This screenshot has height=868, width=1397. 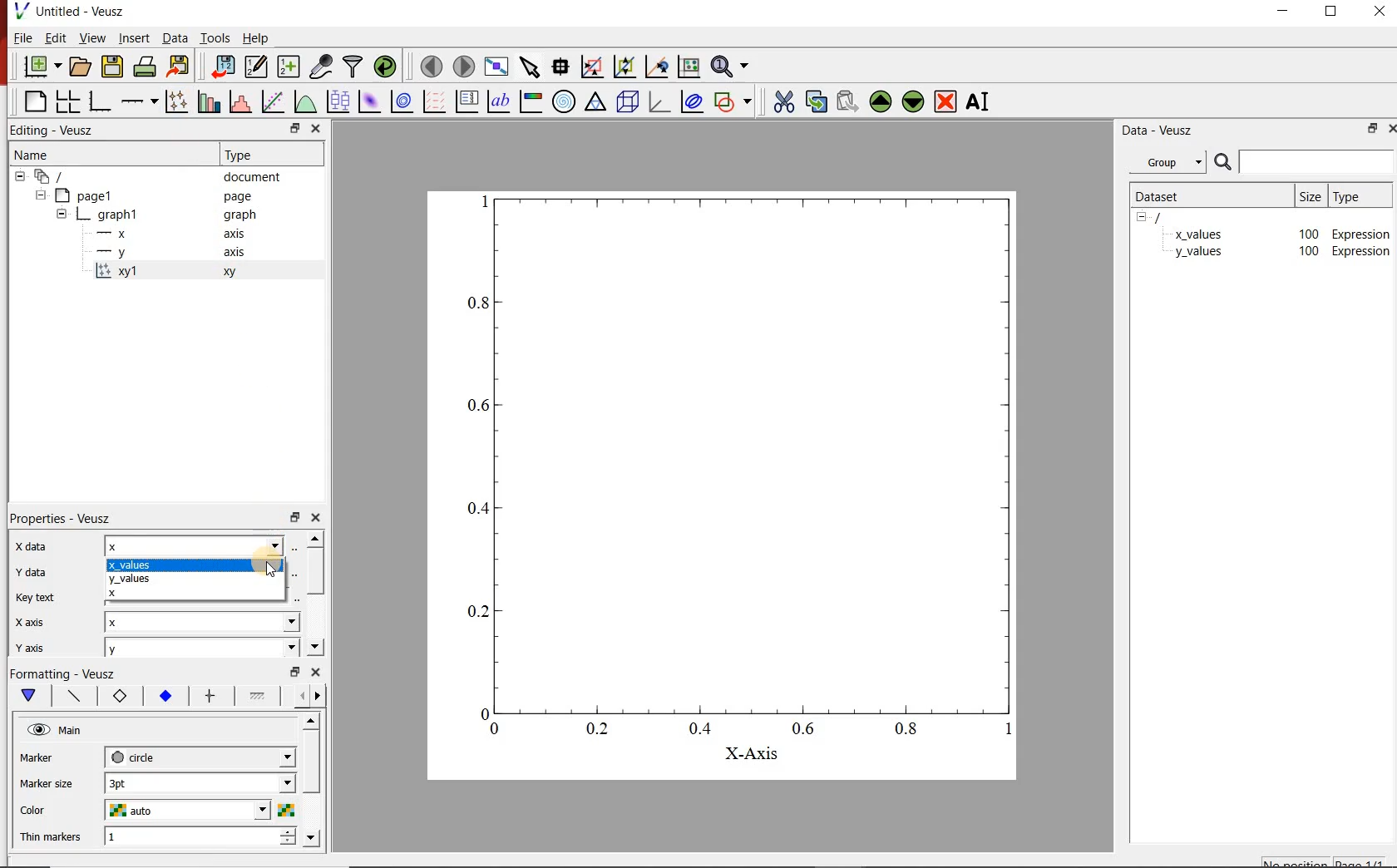 What do you see at coordinates (20, 176) in the screenshot?
I see `hide` at bounding box center [20, 176].